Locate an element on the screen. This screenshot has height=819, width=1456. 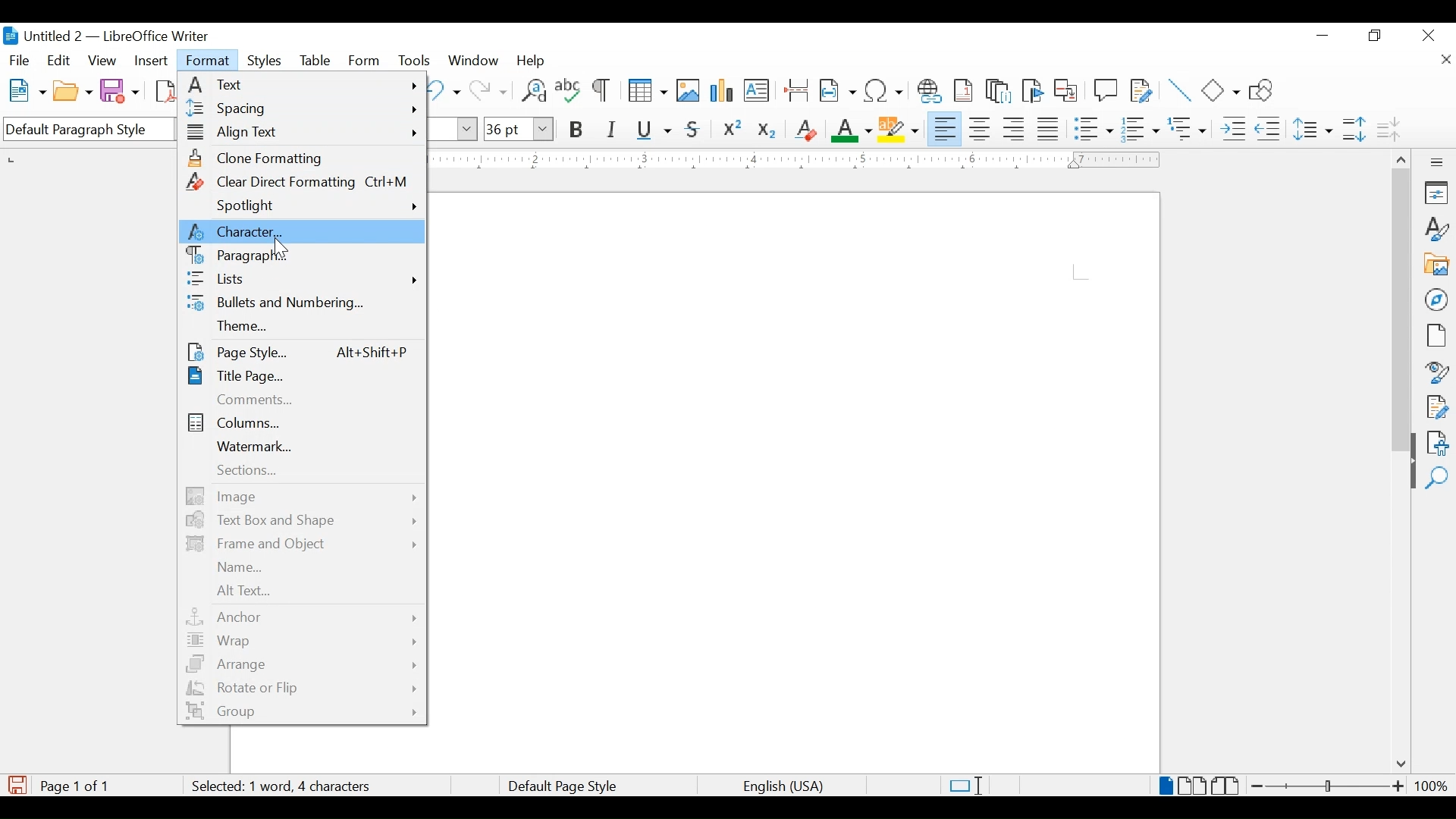
insert footnote is located at coordinates (966, 90).